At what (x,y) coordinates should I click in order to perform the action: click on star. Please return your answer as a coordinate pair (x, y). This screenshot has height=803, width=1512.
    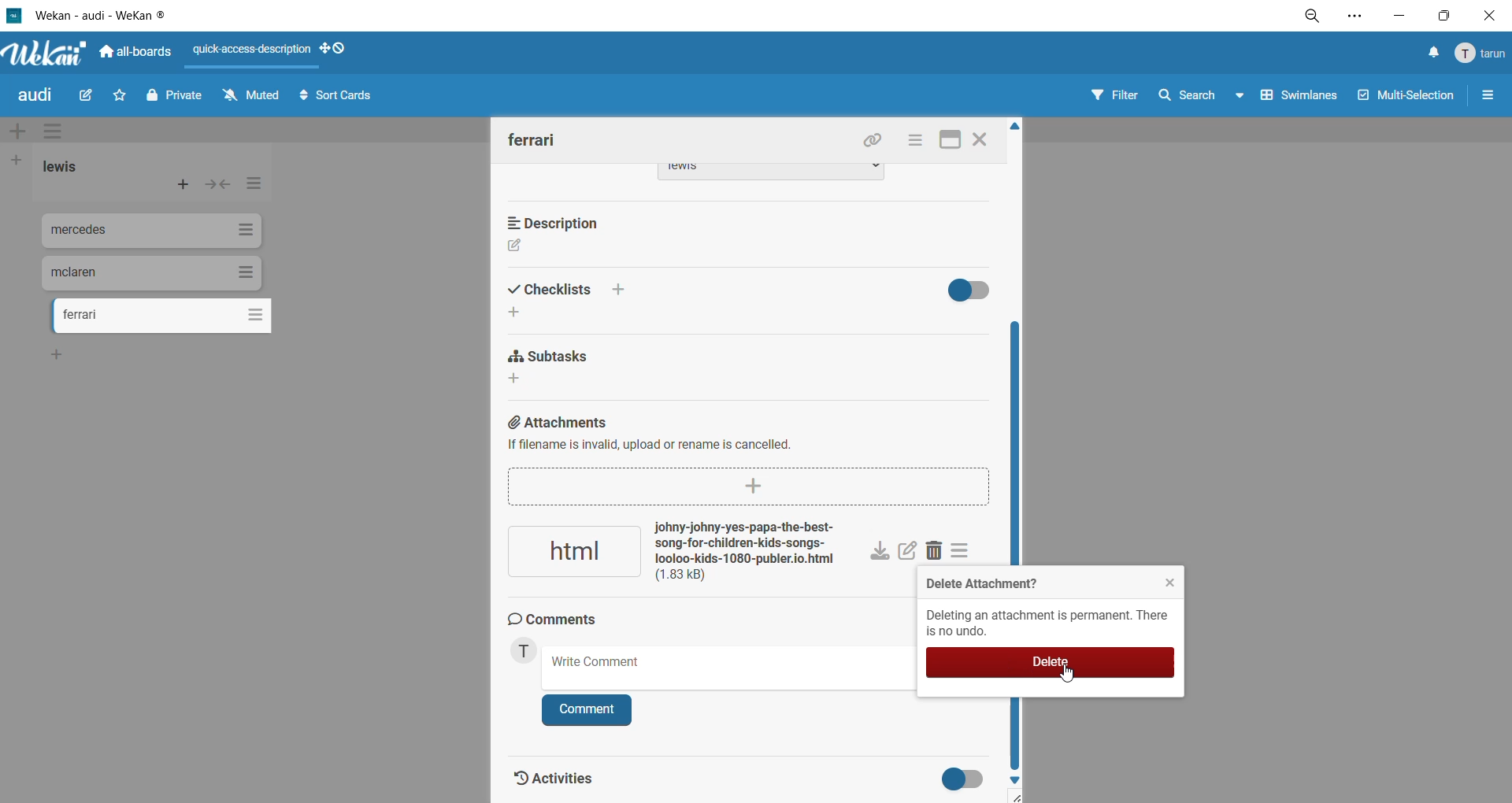
    Looking at the image, I should click on (123, 94).